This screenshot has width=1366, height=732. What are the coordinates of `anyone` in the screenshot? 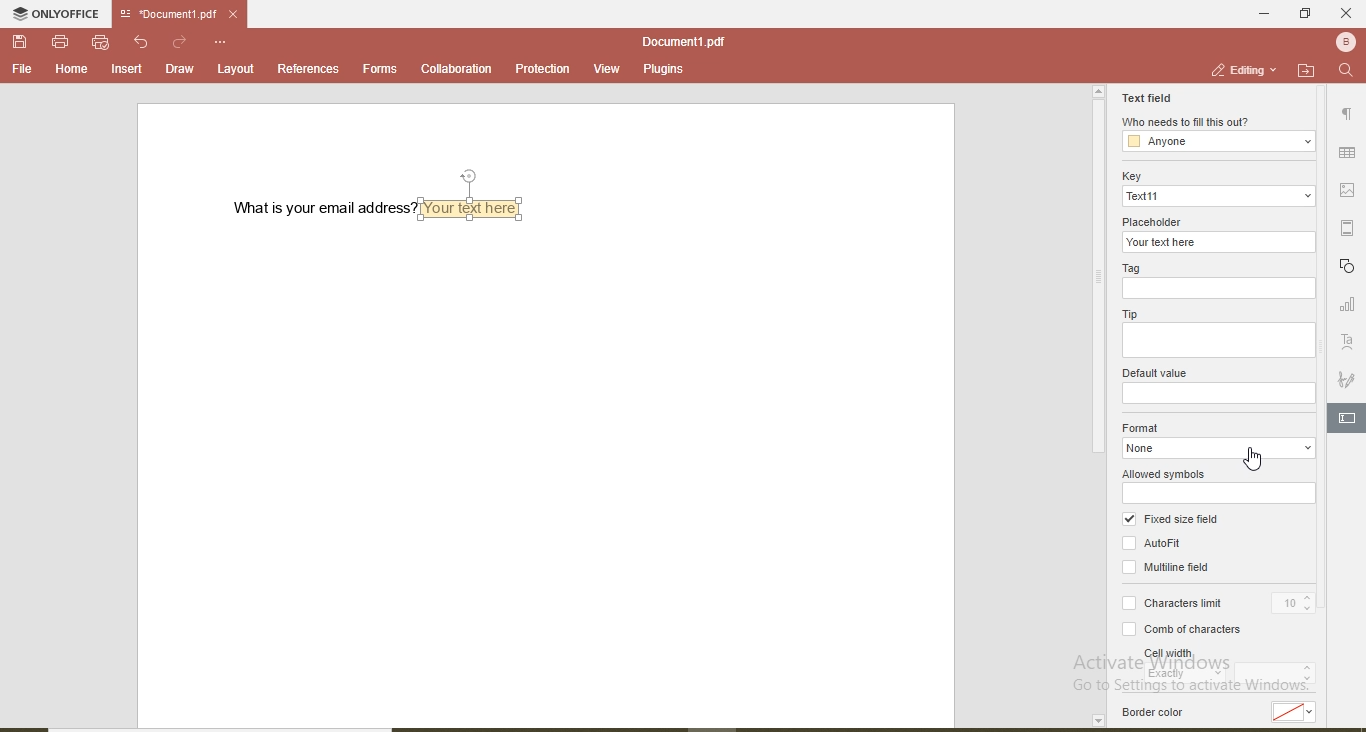 It's located at (1220, 142).